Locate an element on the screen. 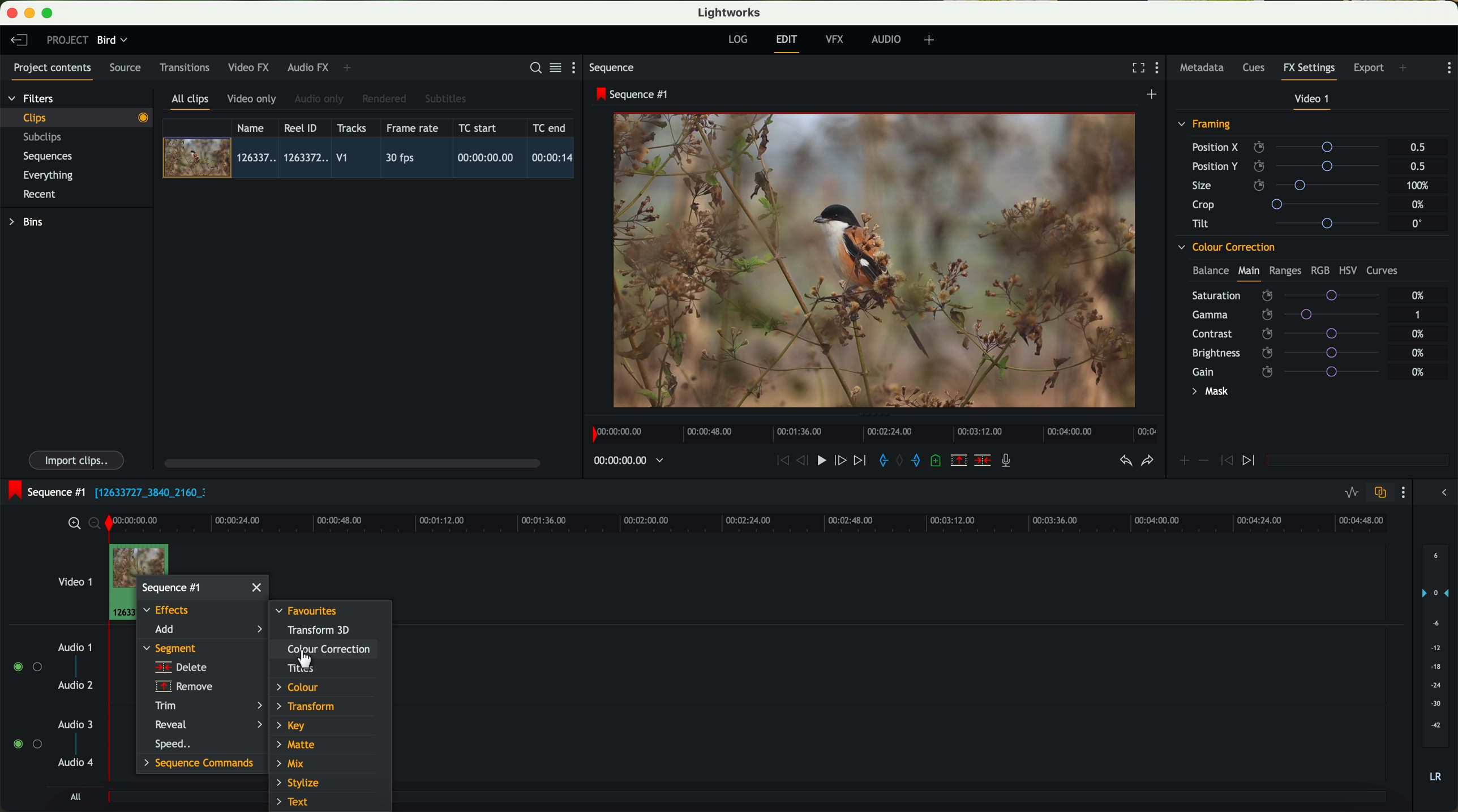 The width and height of the screenshot is (1458, 812). contrast is located at coordinates (1293, 334).